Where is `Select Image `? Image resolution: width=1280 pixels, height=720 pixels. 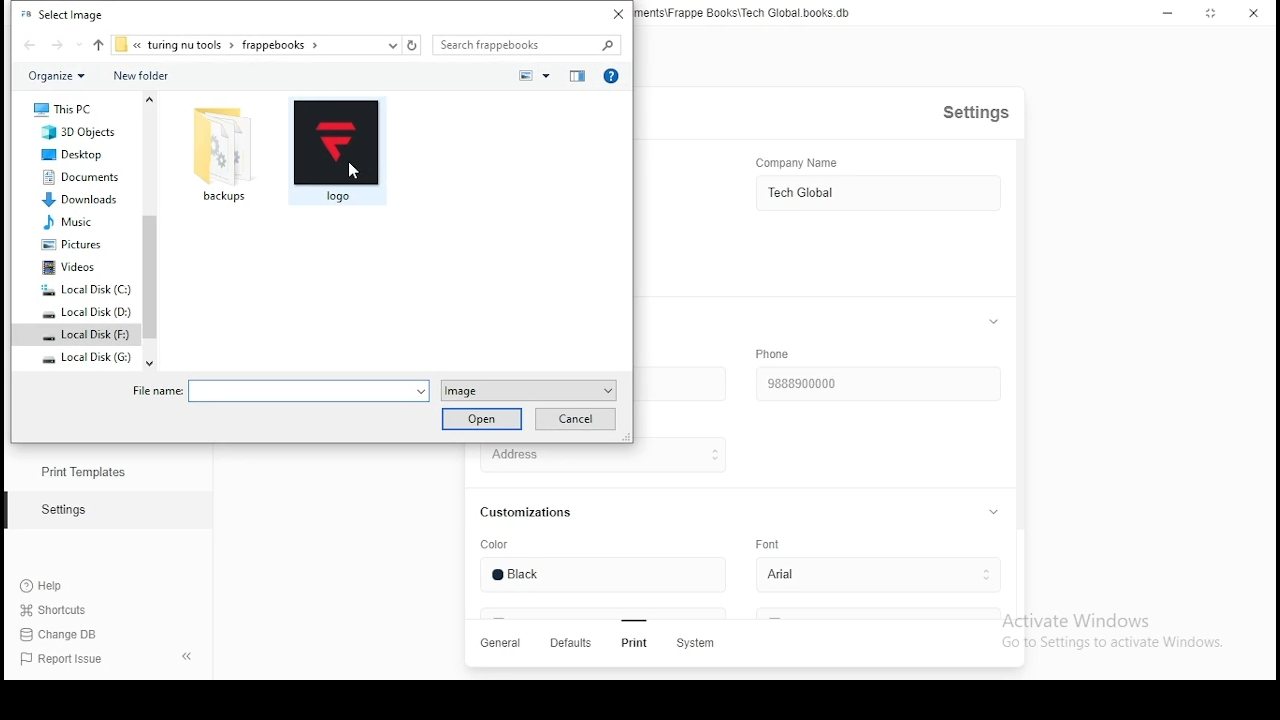
Select Image  is located at coordinates (60, 17).